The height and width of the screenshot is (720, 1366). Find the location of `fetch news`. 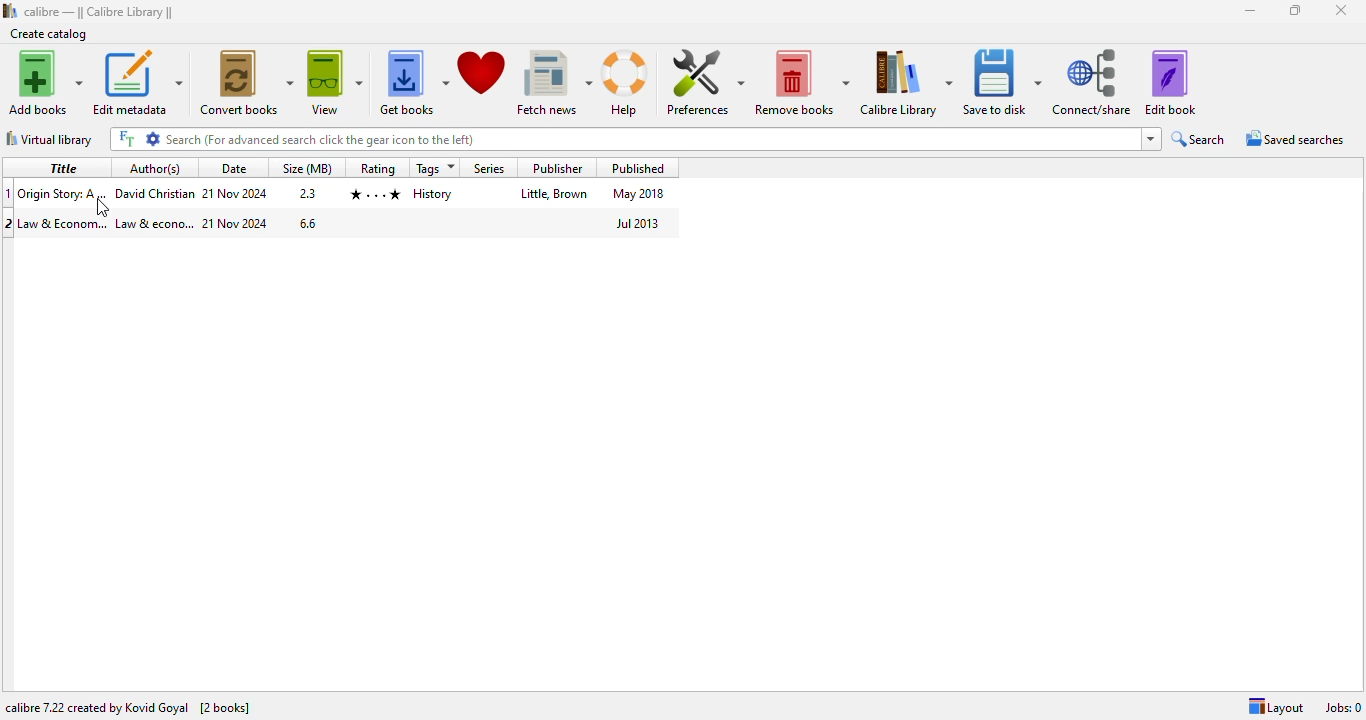

fetch news is located at coordinates (554, 83).